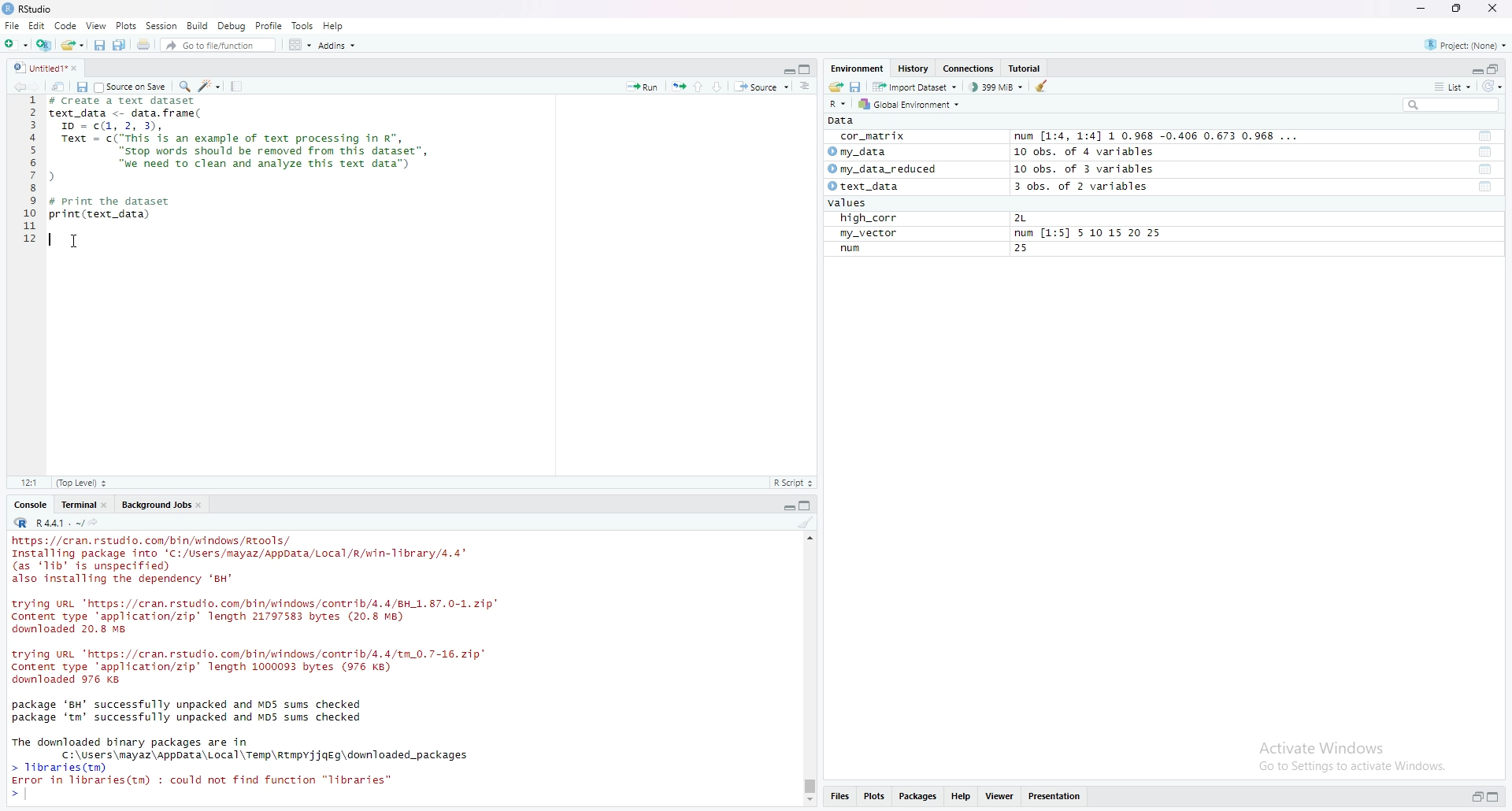 The height and width of the screenshot is (811, 1512). Describe the element at coordinates (999, 89) in the screenshot. I see `399MB` at that location.